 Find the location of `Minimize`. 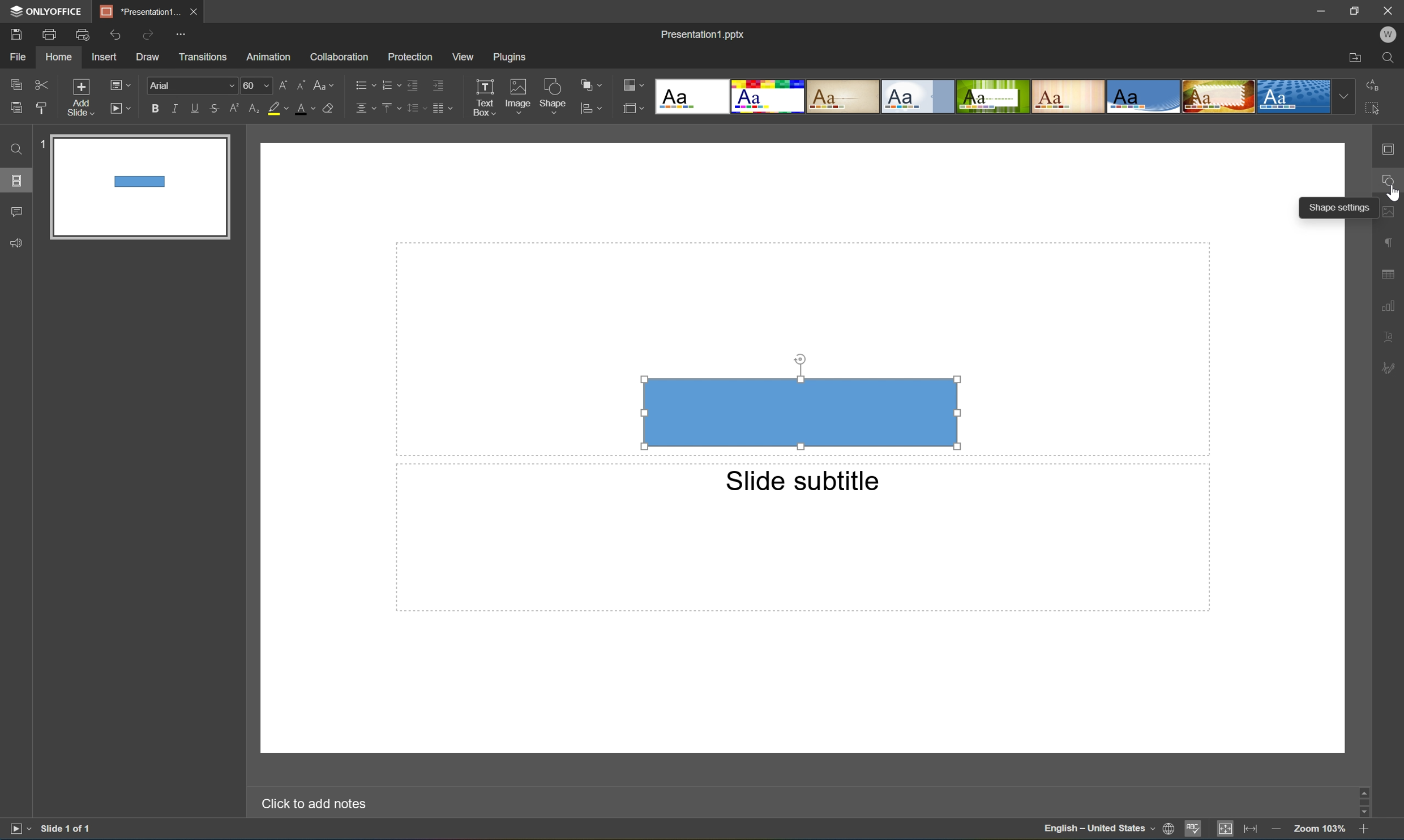

Minimize is located at coordinates (1316, 10).